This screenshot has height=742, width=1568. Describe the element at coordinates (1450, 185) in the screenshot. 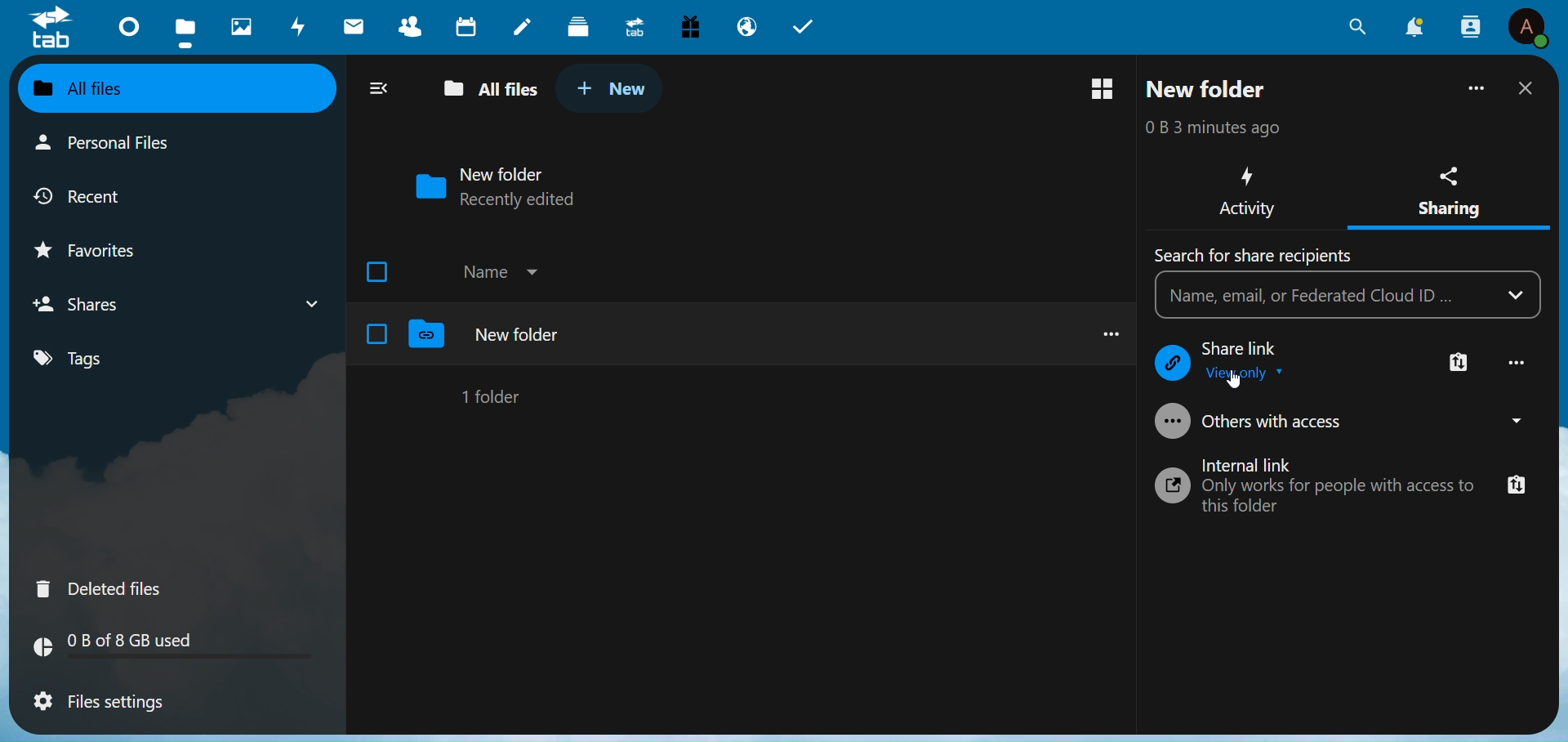

I see `Sharing` at that location.